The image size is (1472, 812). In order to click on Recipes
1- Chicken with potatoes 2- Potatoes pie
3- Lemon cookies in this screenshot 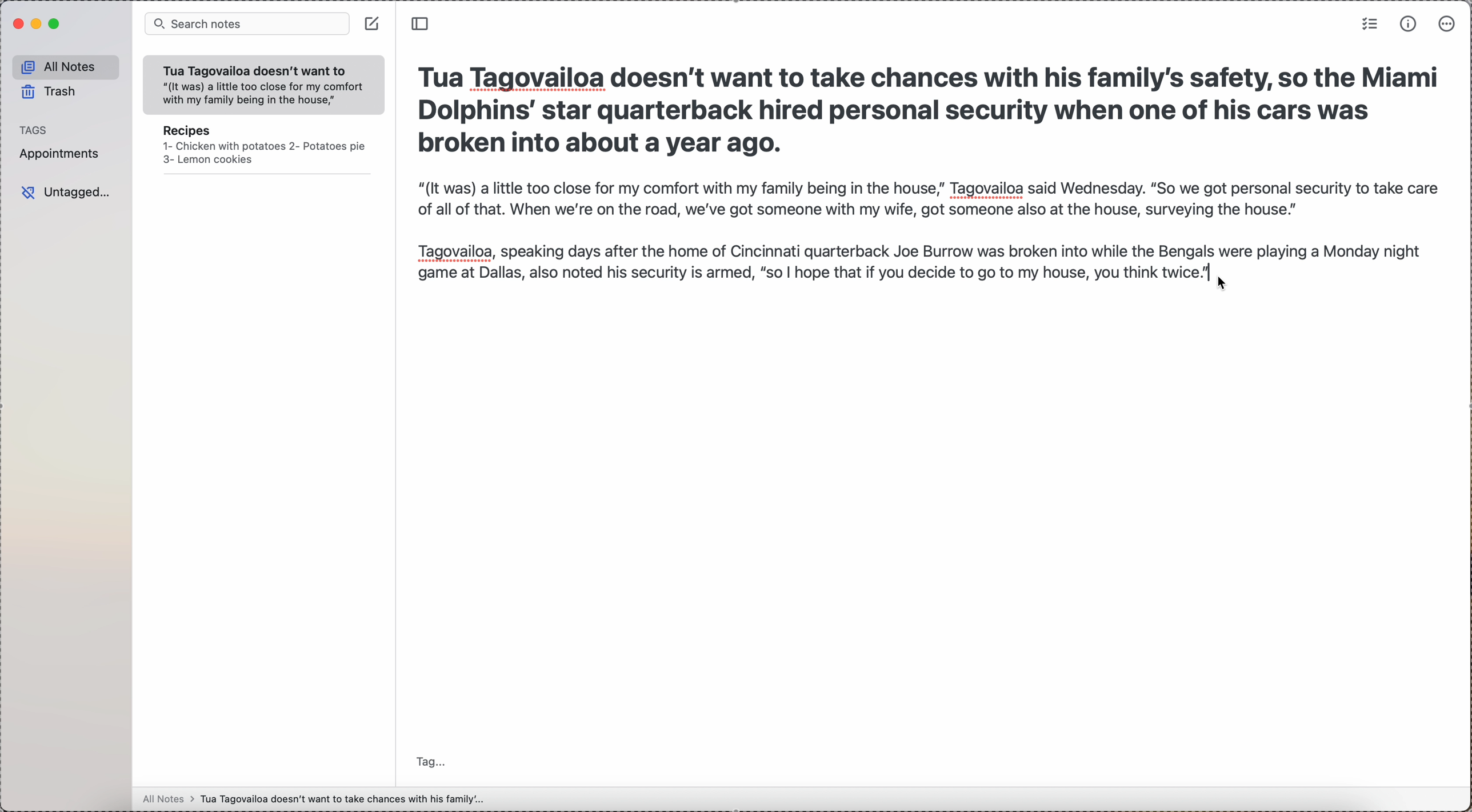, I will do `click(262, 150)`.